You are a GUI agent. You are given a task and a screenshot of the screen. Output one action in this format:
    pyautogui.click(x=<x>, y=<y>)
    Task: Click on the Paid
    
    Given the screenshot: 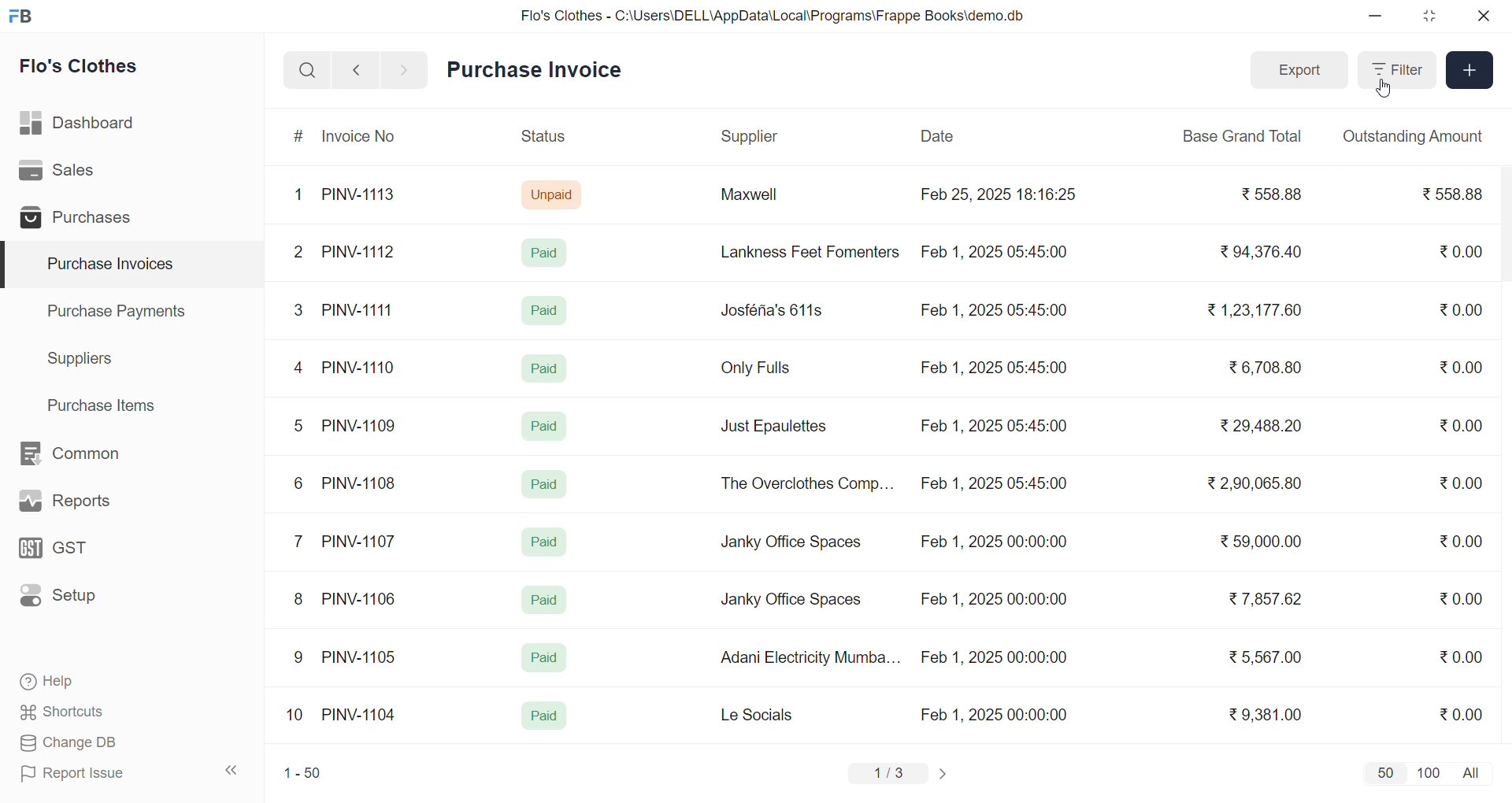 What is the action you would take?
    pyautogui.click(x=544, y=716)
    